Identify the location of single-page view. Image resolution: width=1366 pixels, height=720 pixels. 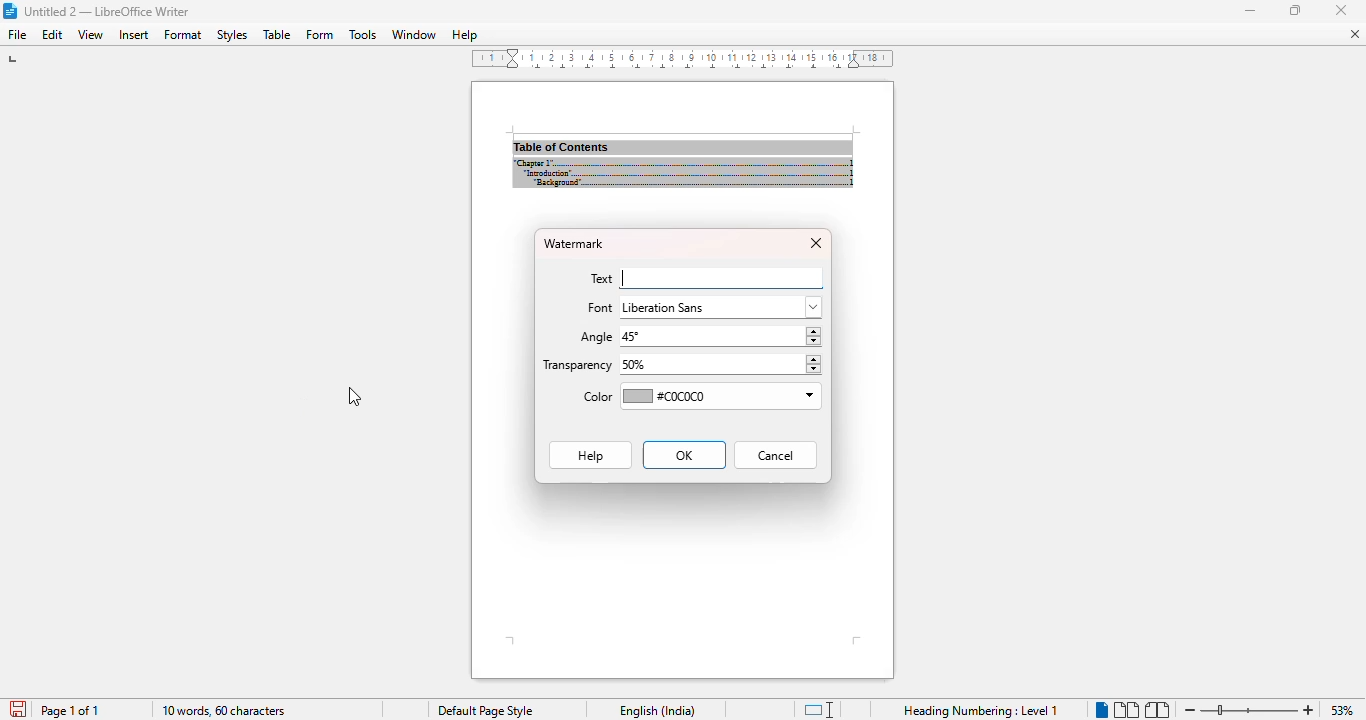
(1101, 710).